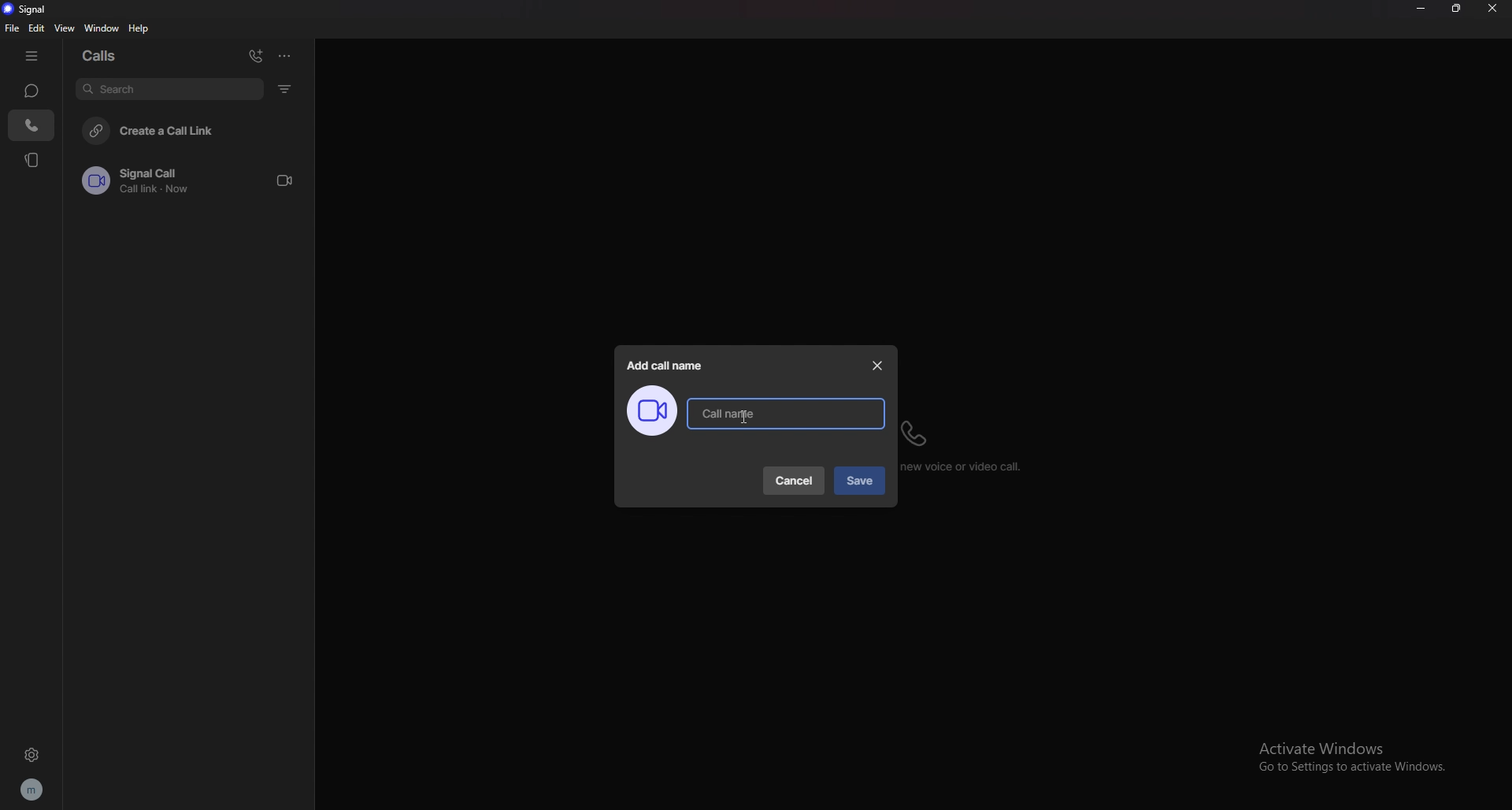  What do you see at coordinates (666, 366) in the screenshot?
I see `add call name` at bounding box center [666, 366].